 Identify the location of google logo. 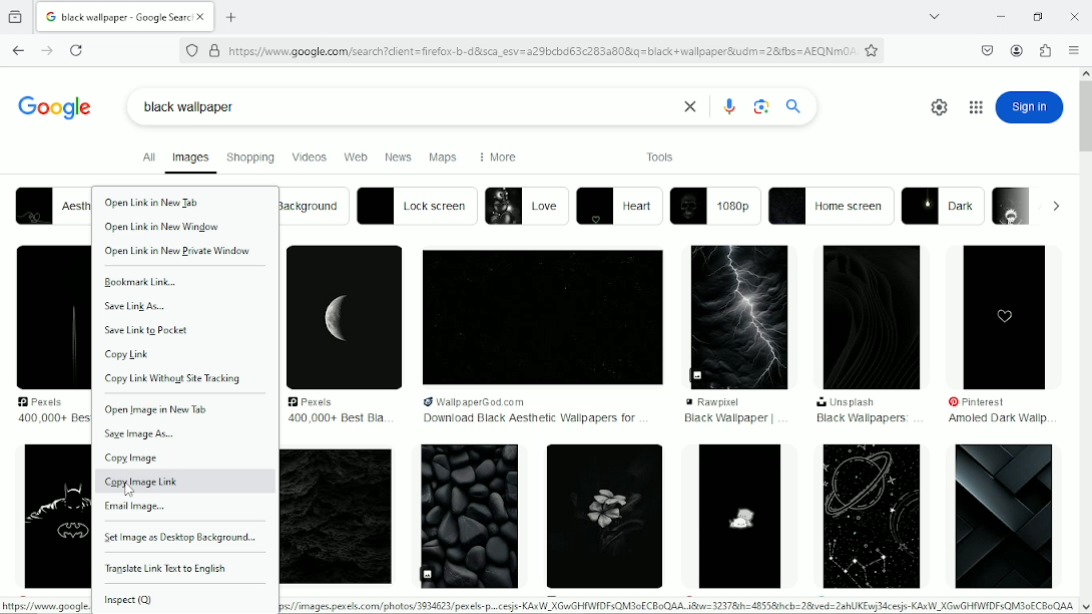
(55, 104).